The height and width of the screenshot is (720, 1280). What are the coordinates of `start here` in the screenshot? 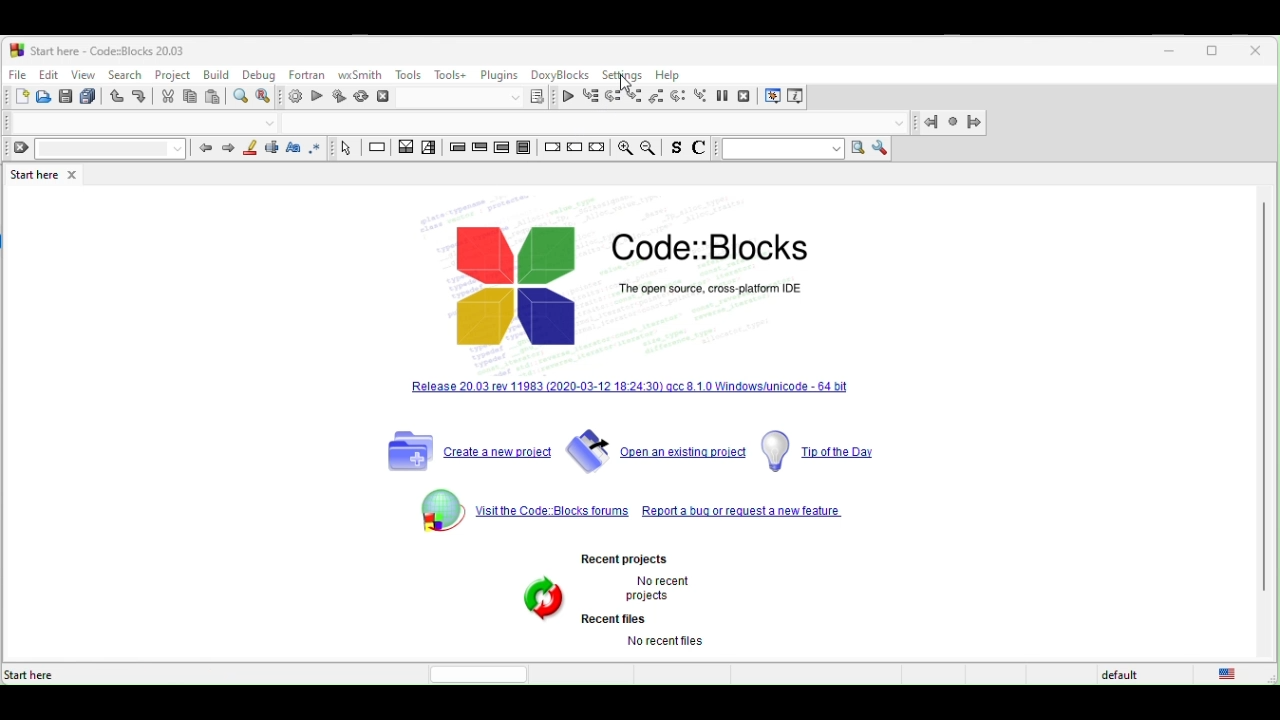 It's located at (46, 674).